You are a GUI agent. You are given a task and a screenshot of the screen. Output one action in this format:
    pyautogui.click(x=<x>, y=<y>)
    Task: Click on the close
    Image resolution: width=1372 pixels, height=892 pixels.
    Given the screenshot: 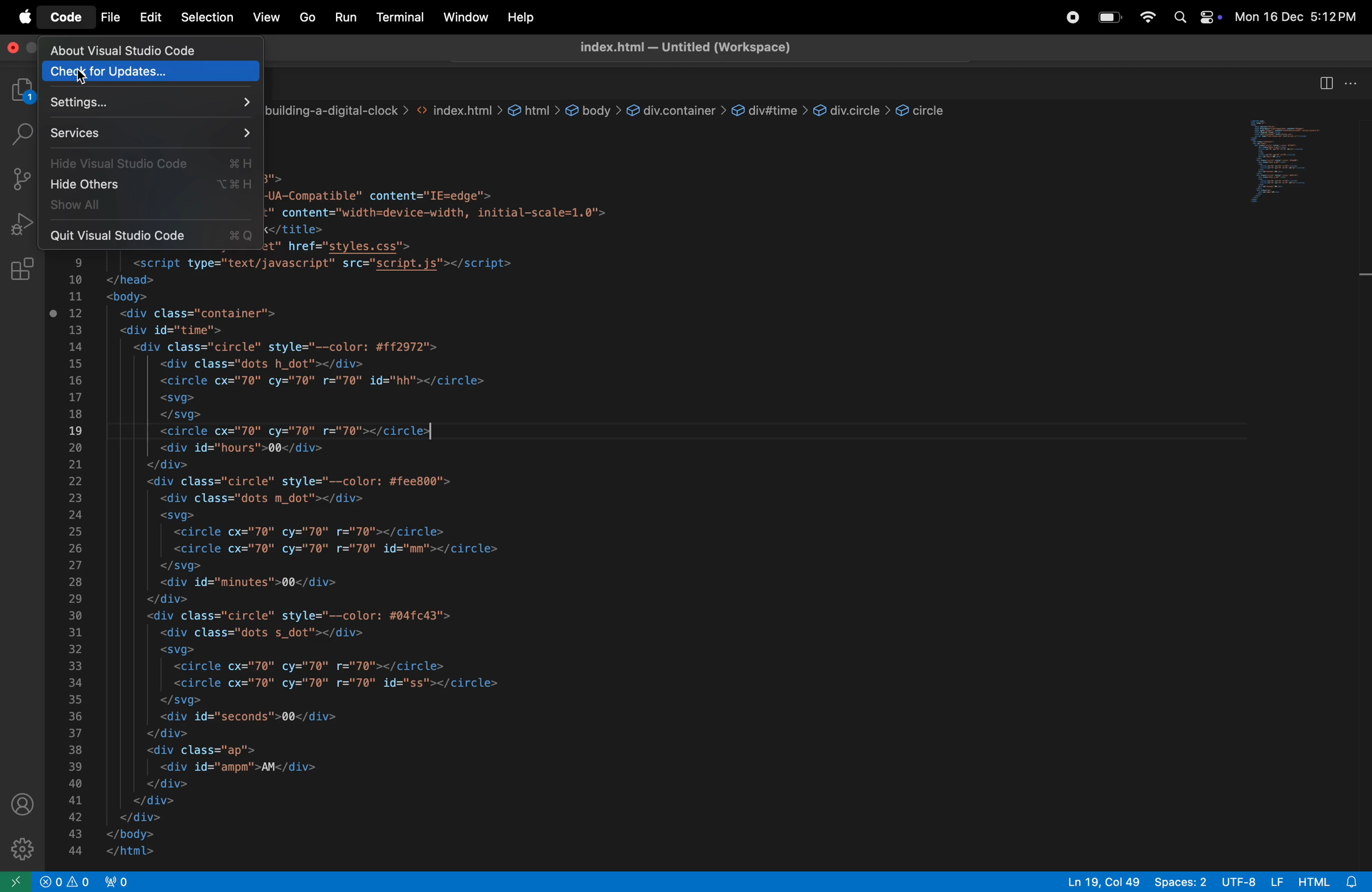 What is the action you would take?
    pyautogui.click(x=14, y=49)
    